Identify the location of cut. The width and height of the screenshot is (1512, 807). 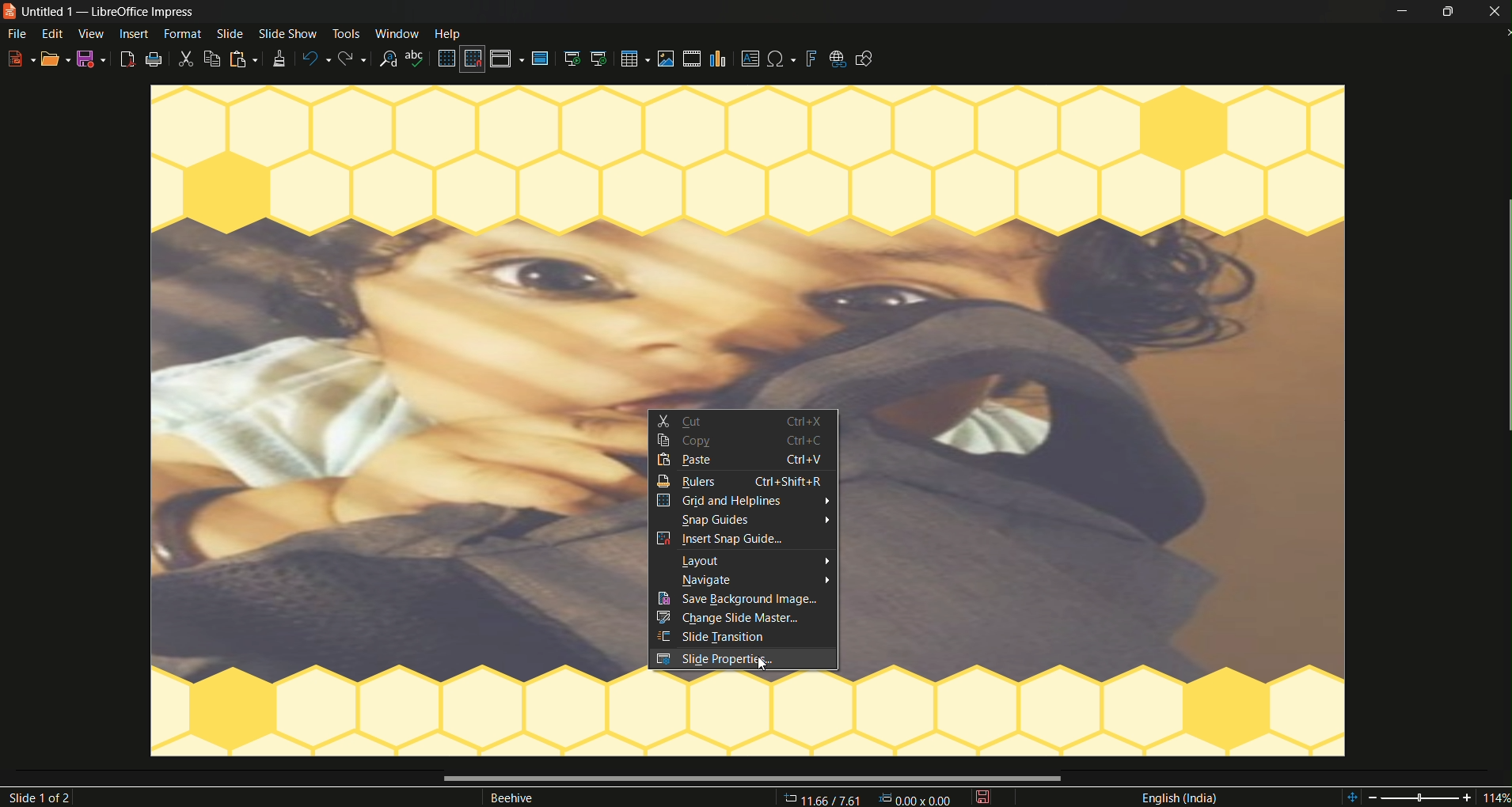
(681, 420).